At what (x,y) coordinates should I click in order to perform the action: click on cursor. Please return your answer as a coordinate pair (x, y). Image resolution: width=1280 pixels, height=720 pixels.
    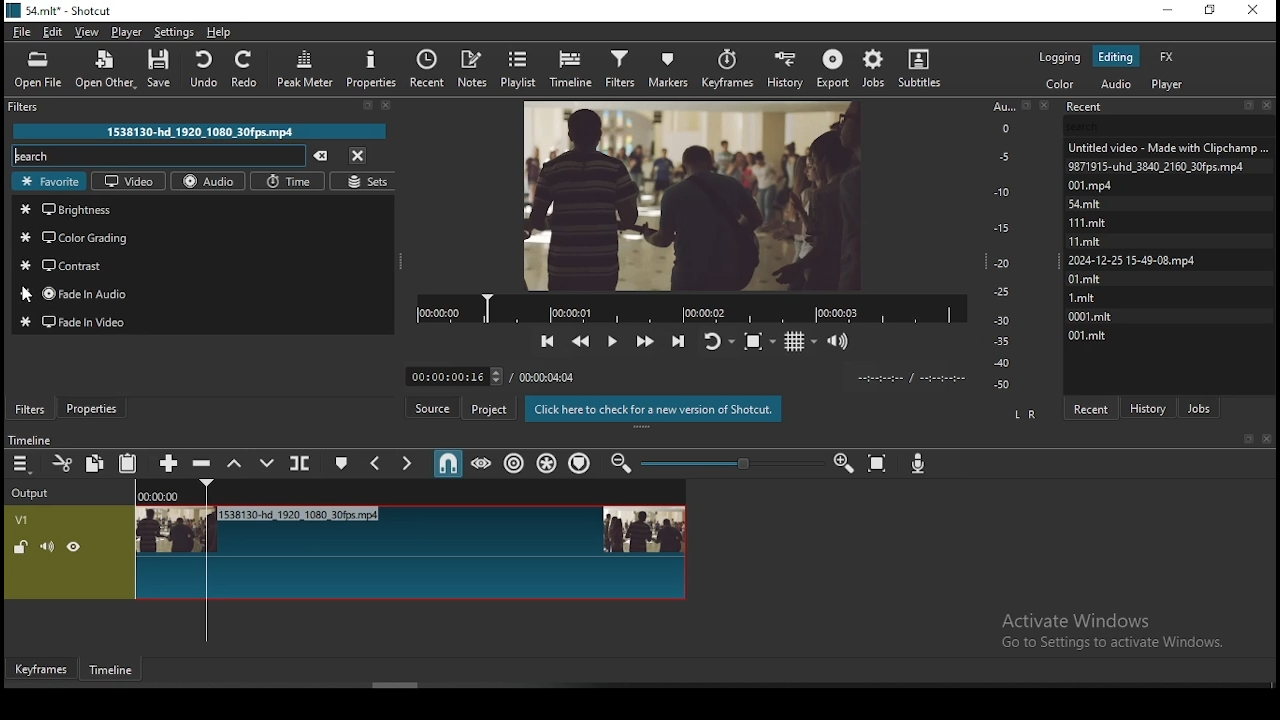
    Looking at the image, I should click on (33, 295).